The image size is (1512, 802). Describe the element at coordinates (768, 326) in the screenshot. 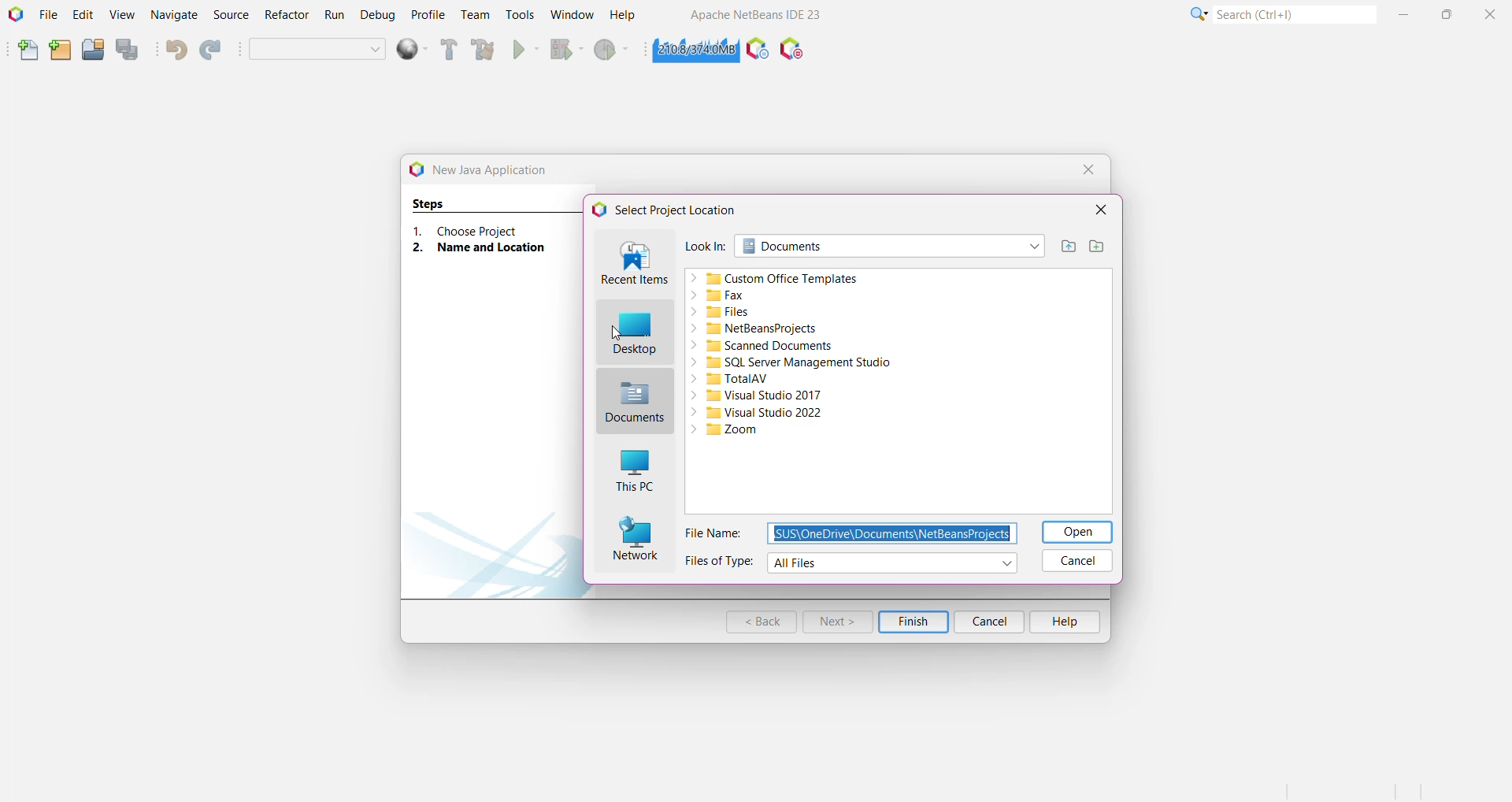

I see `NetBeansProjects` at that location.